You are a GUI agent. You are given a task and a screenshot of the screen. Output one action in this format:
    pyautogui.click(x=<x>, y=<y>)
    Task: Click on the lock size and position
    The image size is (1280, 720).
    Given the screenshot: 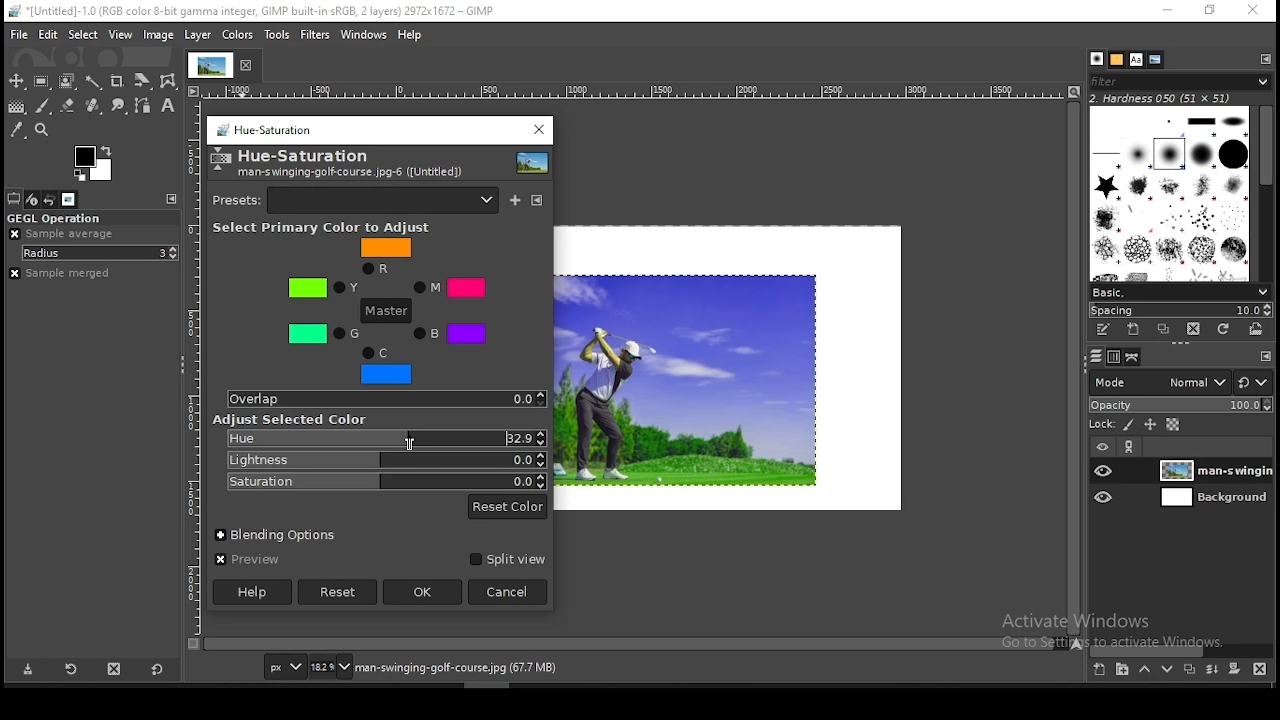 What is the action you would take?
    pyautogui.click(x=1151, y=425)
    